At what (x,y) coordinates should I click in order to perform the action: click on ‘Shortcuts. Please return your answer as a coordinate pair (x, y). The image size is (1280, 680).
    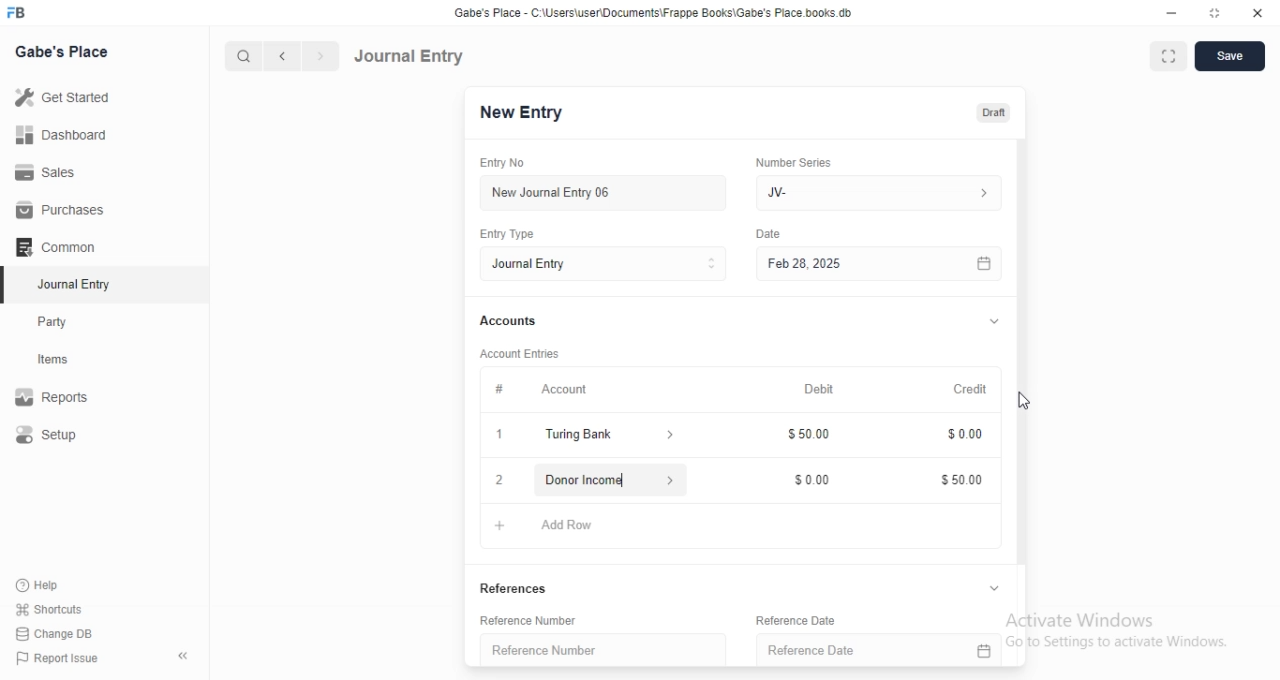
    Looking at the image, I should click on (62, 609).